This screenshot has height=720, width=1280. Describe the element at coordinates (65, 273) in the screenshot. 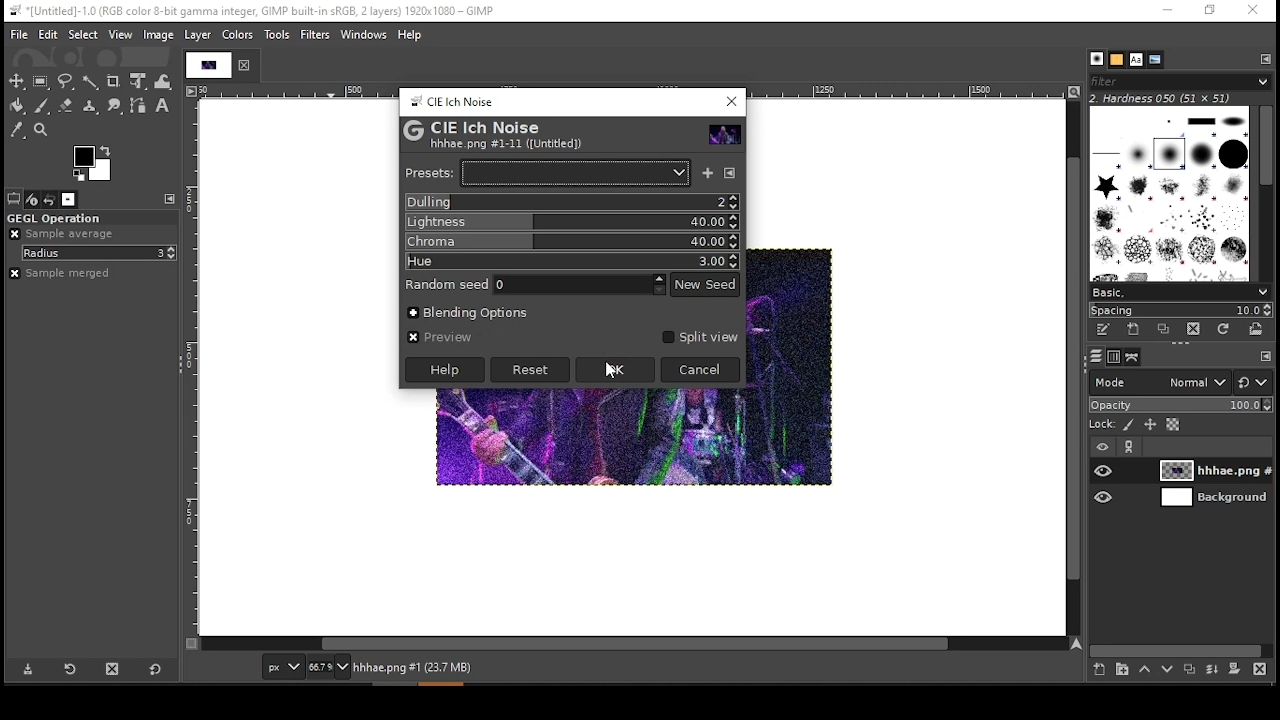

I see `sample merged` at that location.